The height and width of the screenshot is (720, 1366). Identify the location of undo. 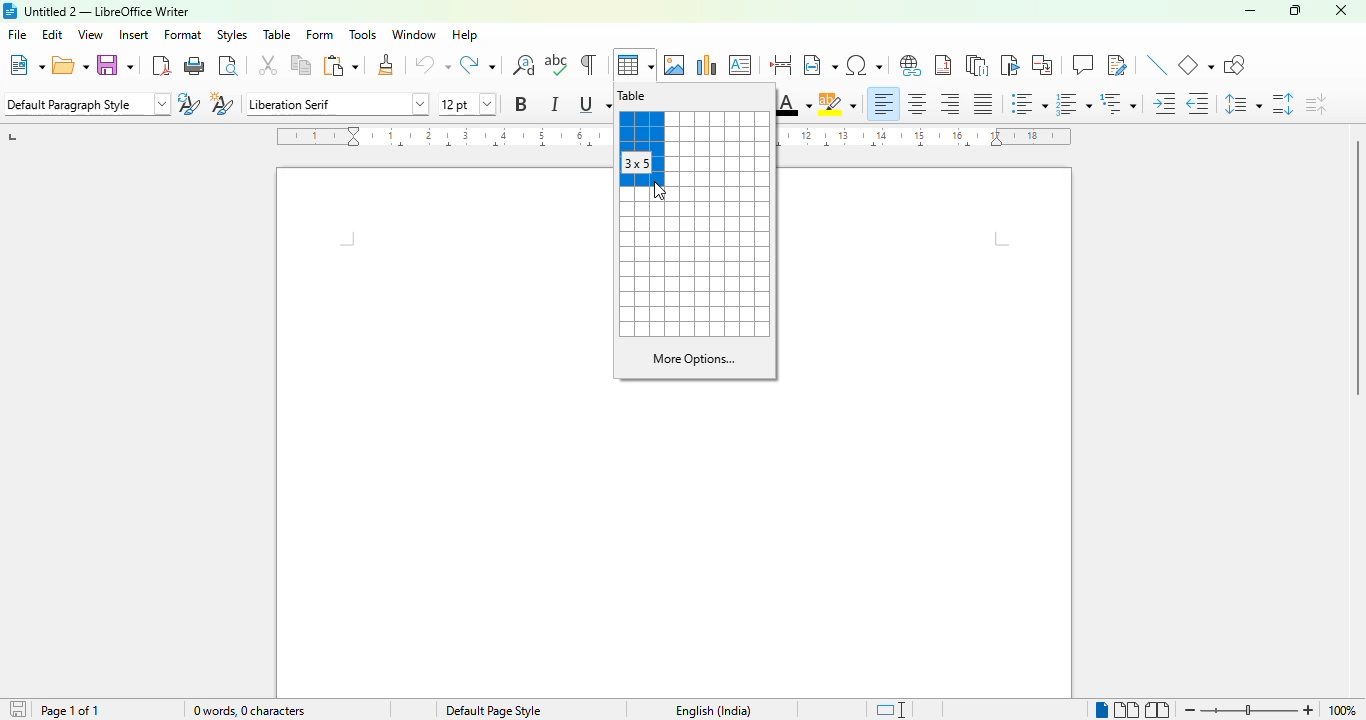
(433, 65).